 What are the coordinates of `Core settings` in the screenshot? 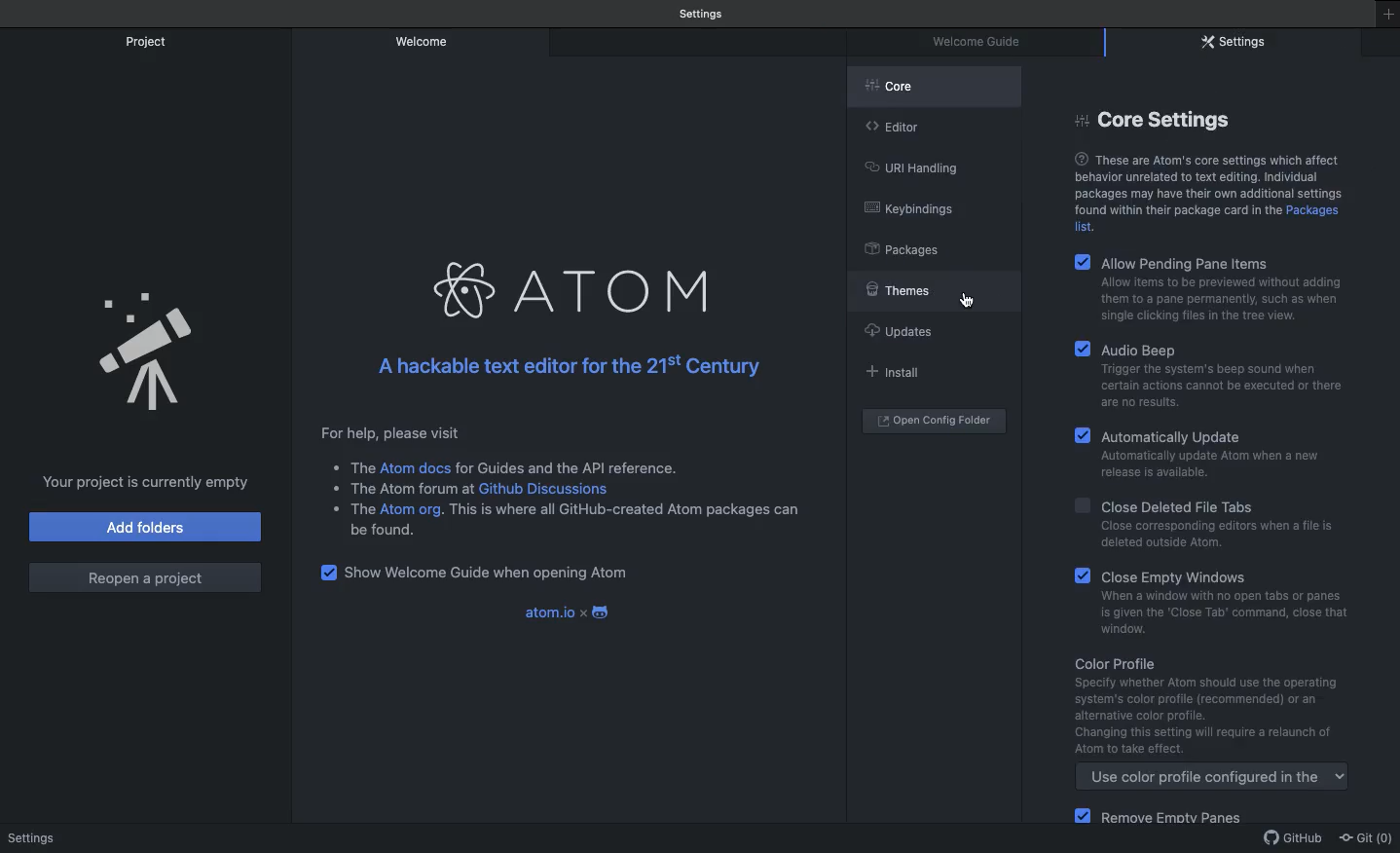 It's located at (1151, 121).